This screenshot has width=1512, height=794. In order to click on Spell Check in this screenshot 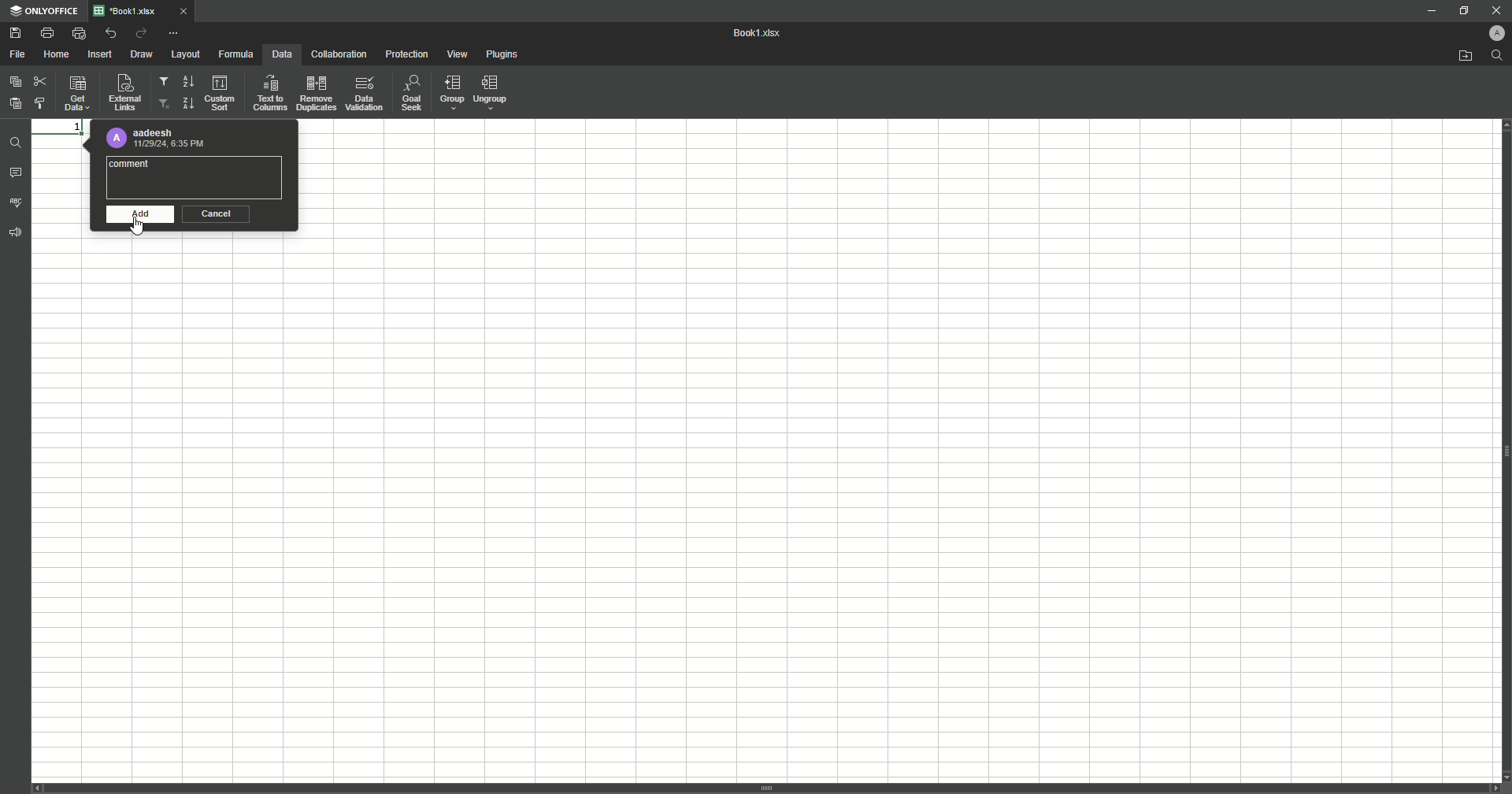, I will do `click(17, 202)`.